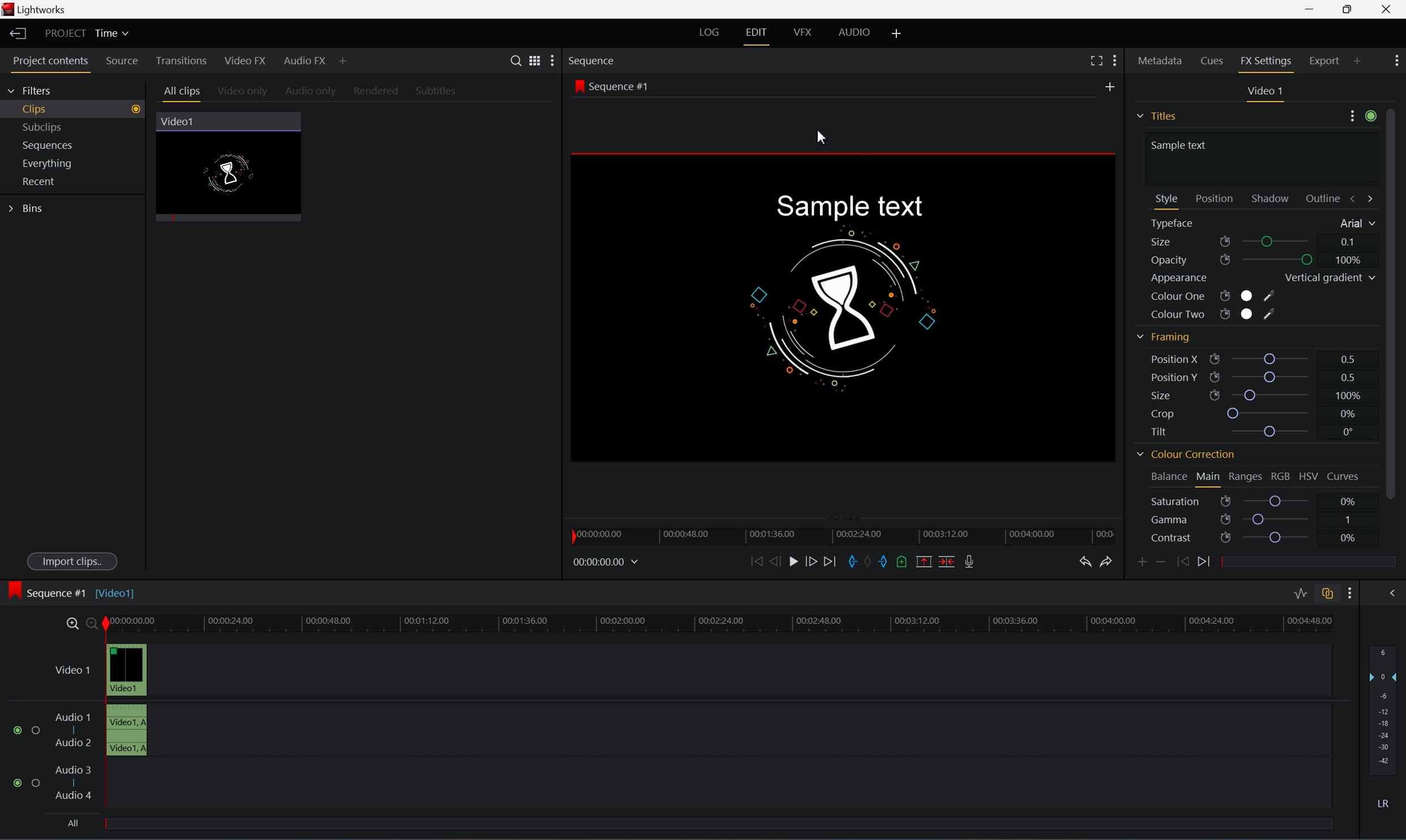  Describe the element at coordinates (1272, 376) in the screenshot. I see `slider` at that location.